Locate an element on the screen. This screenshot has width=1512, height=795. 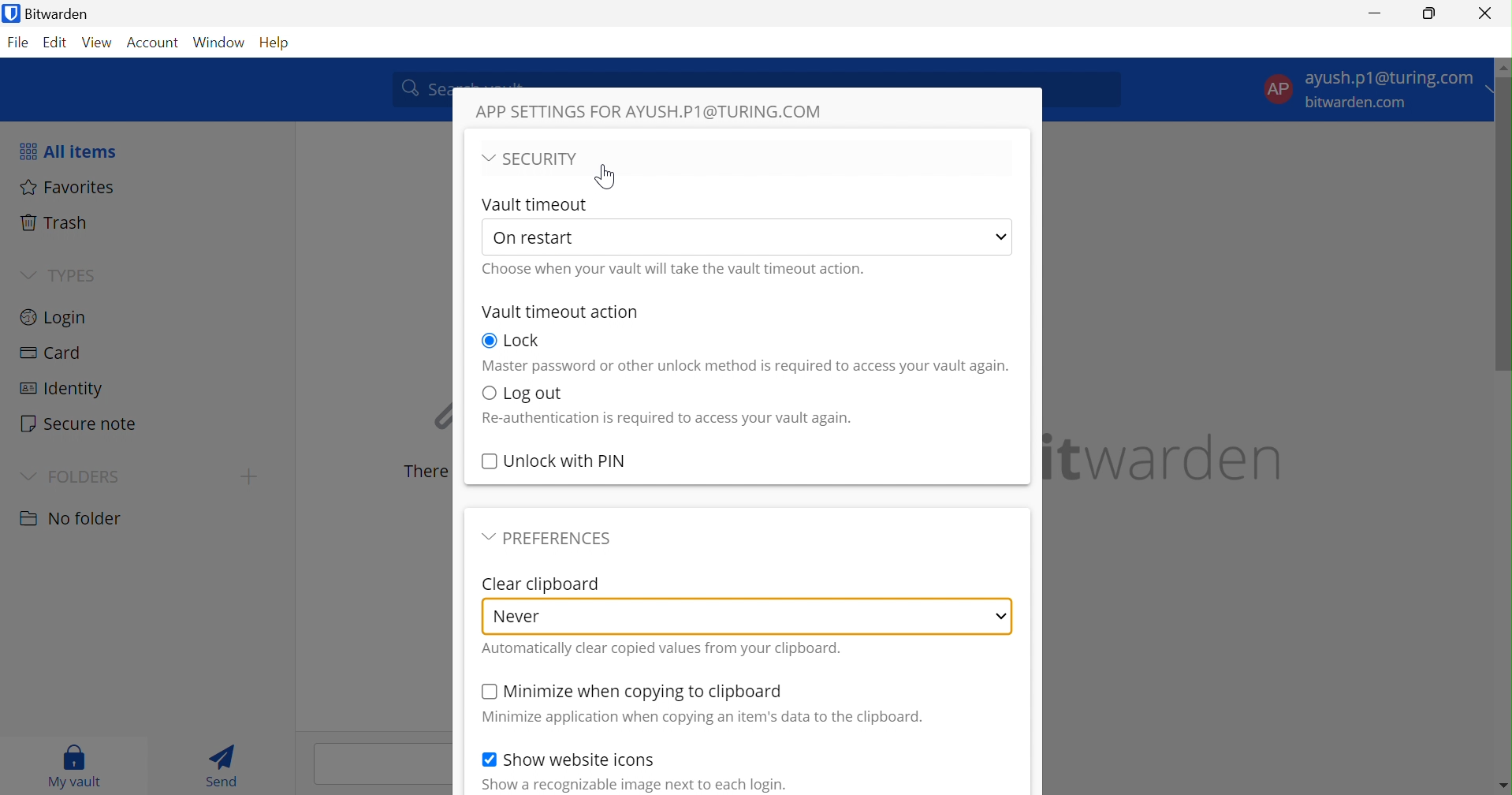
Help is located at coordinates (275, 46).